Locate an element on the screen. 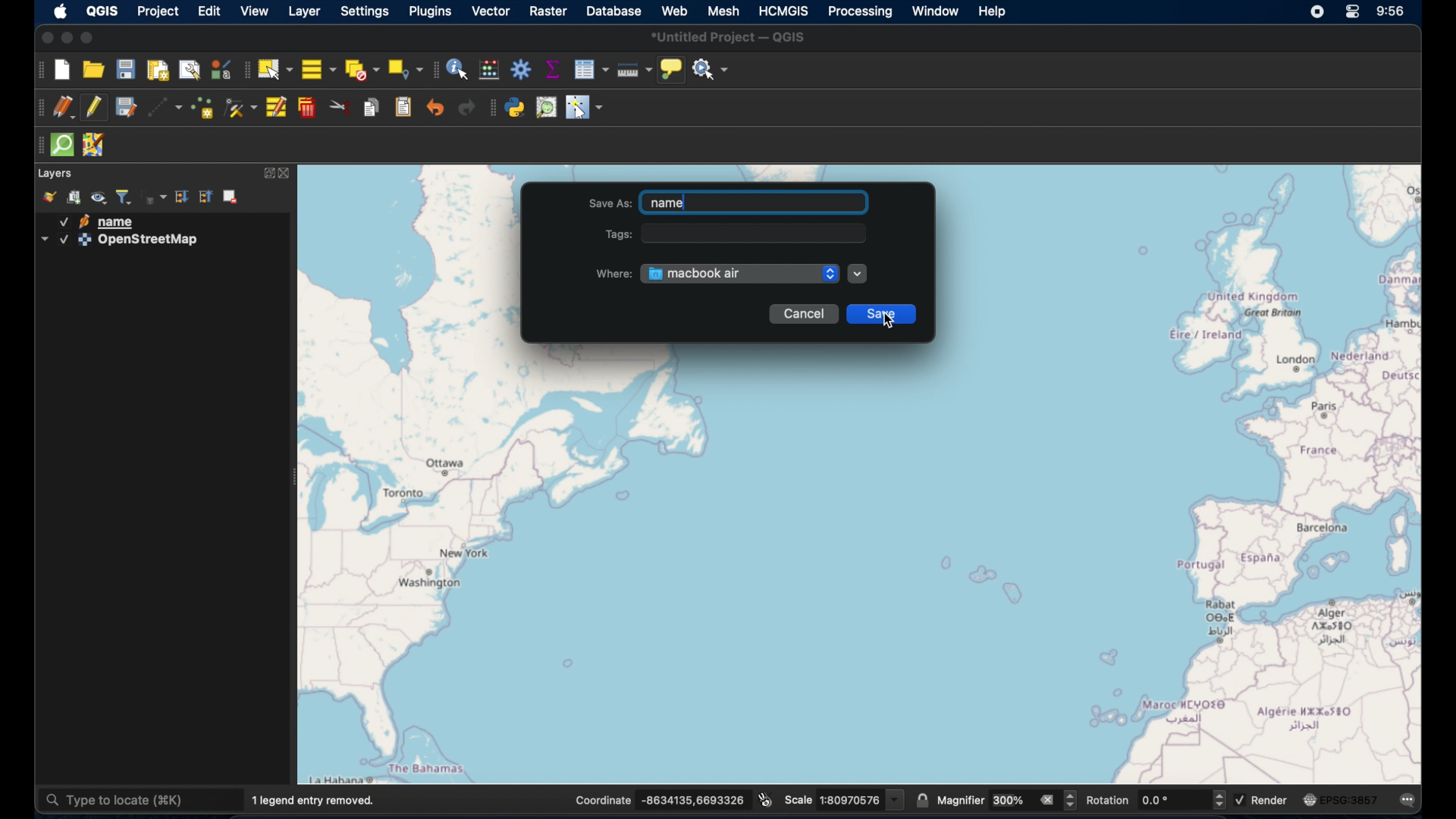 The width and height of the screenshot is (1456, 819). save edits is located at coordinates (125, 108).